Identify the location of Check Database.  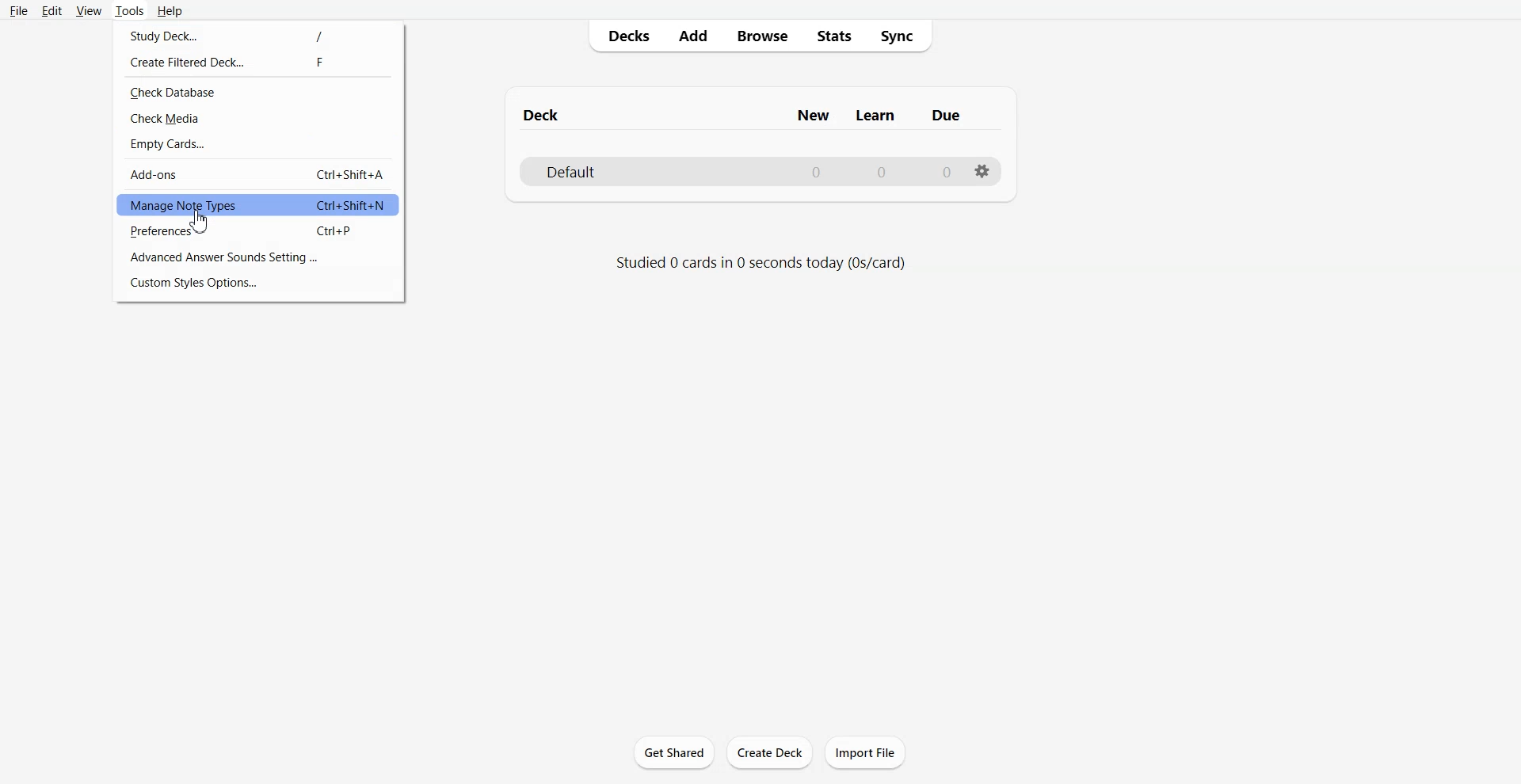
(259, 92).